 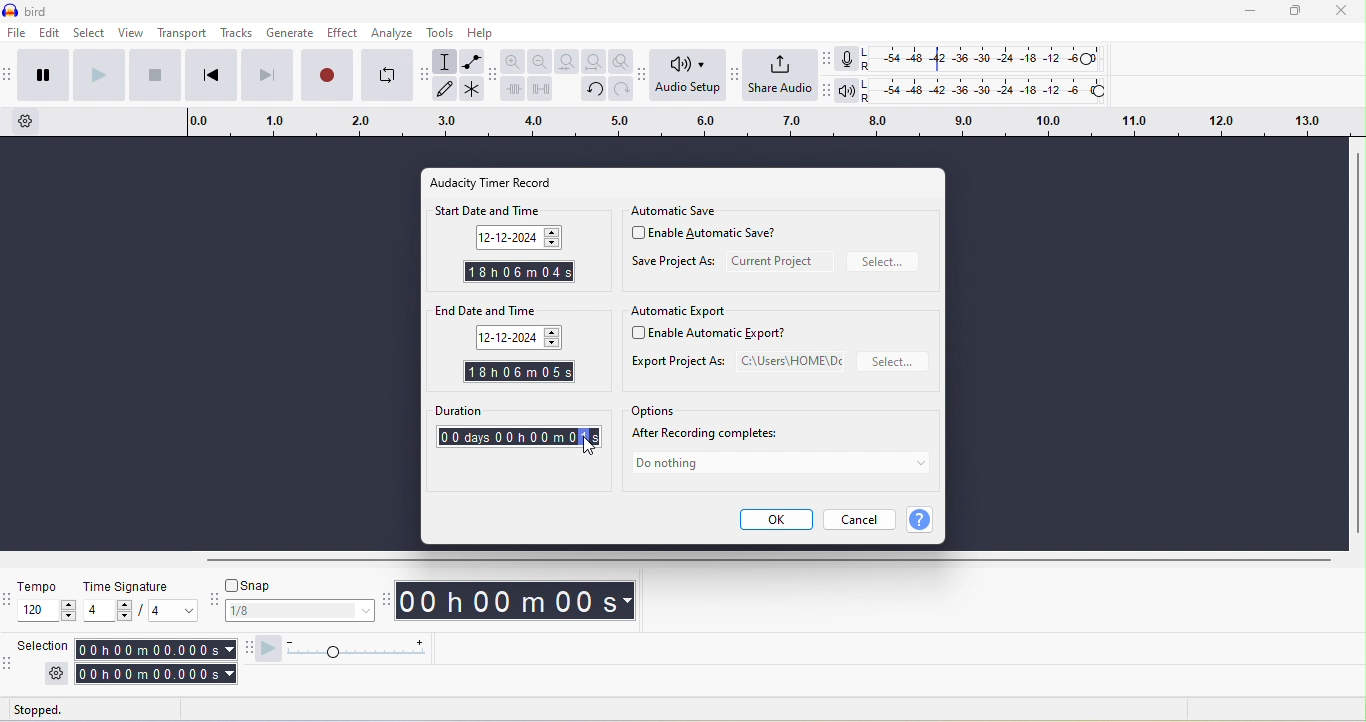 I want to click on time signature, so click(x=142, y=588).